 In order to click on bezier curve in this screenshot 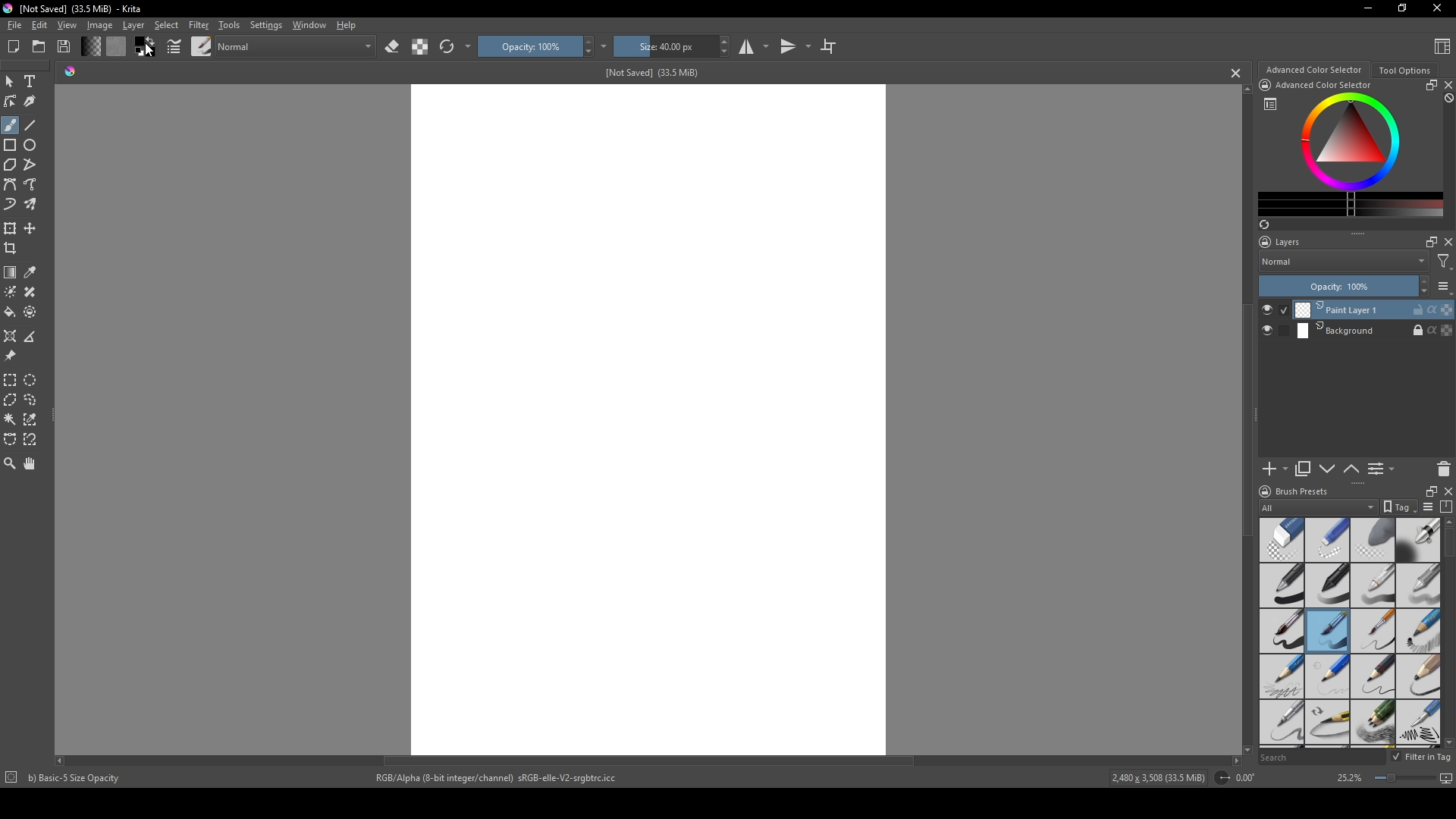, I will do `click(11, 440)`.